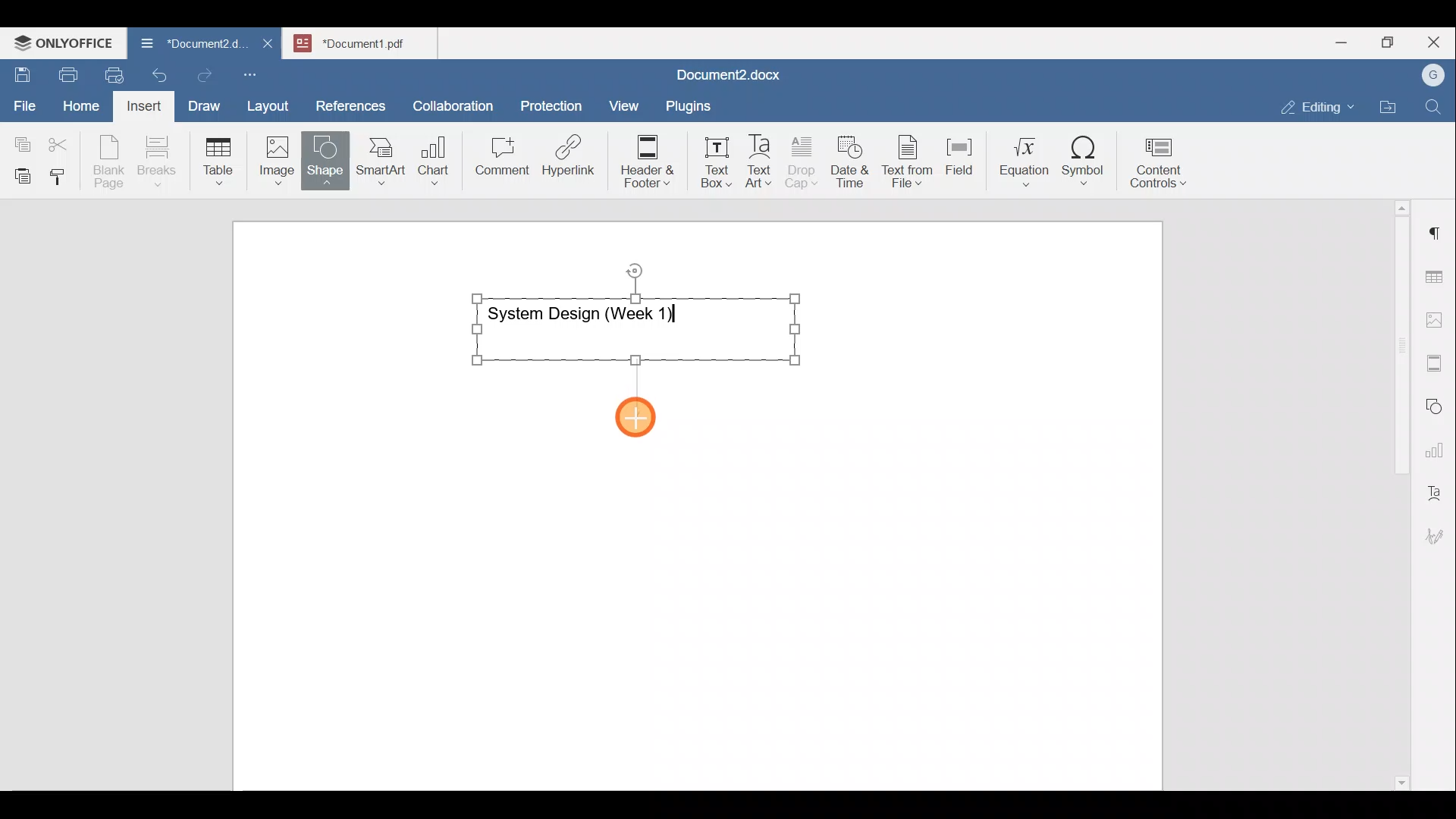 The height and width of the screenshot is (819, 1456). Describe the element at coordinates (64, 42) in the screenshot. I see `ONLYOFFICE` at that location.